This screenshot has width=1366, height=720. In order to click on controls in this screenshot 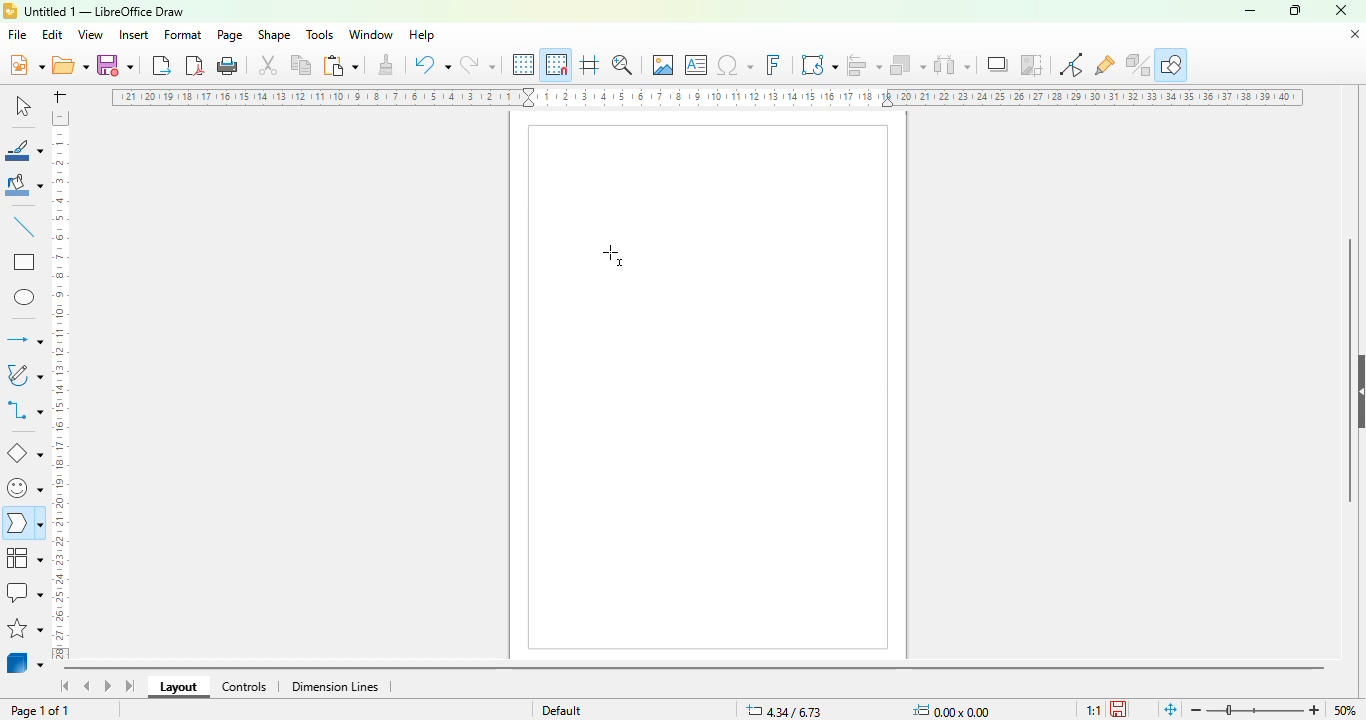, I will do `click(244, 687)`.